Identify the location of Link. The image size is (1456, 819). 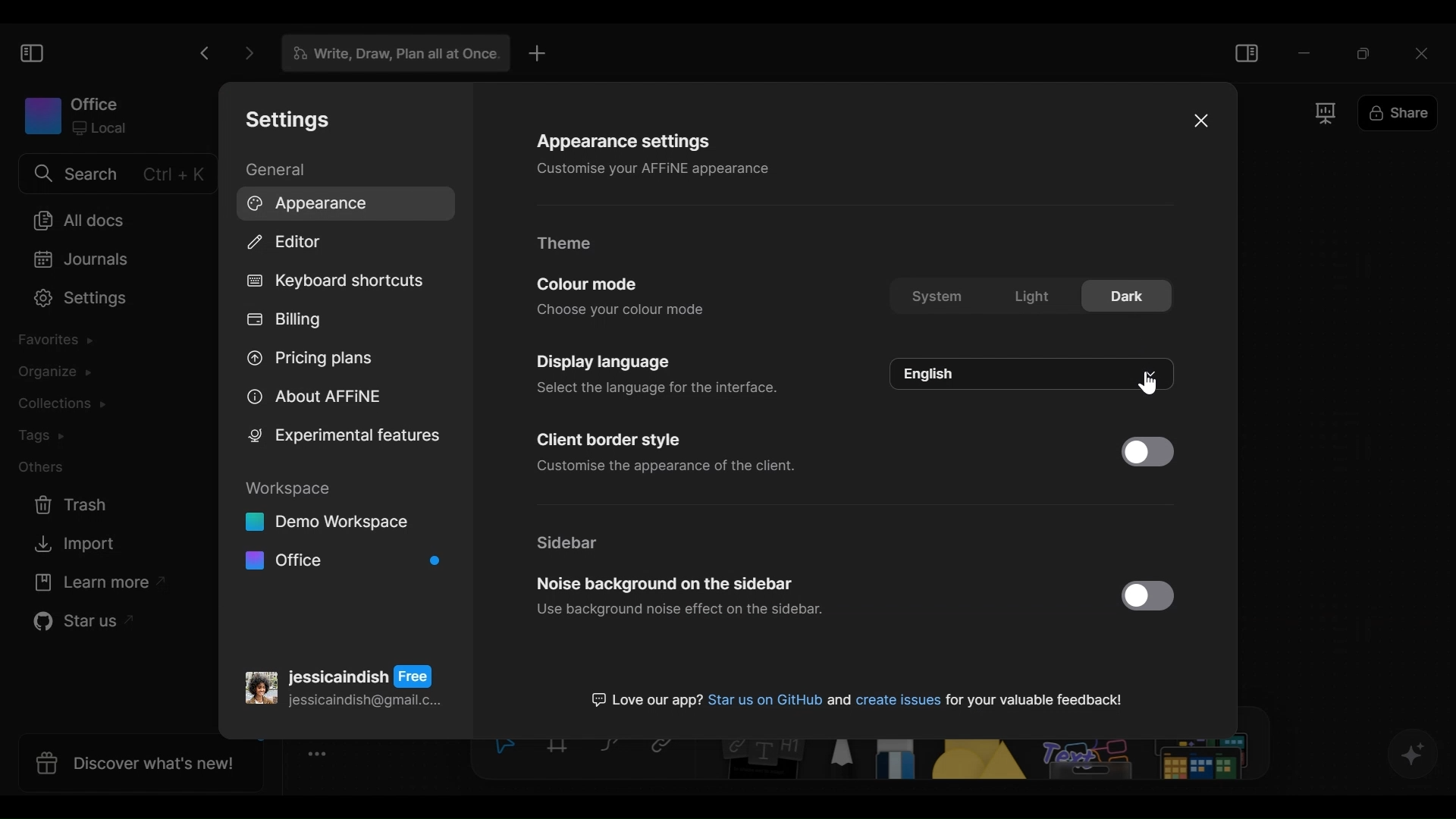
(667, 748).